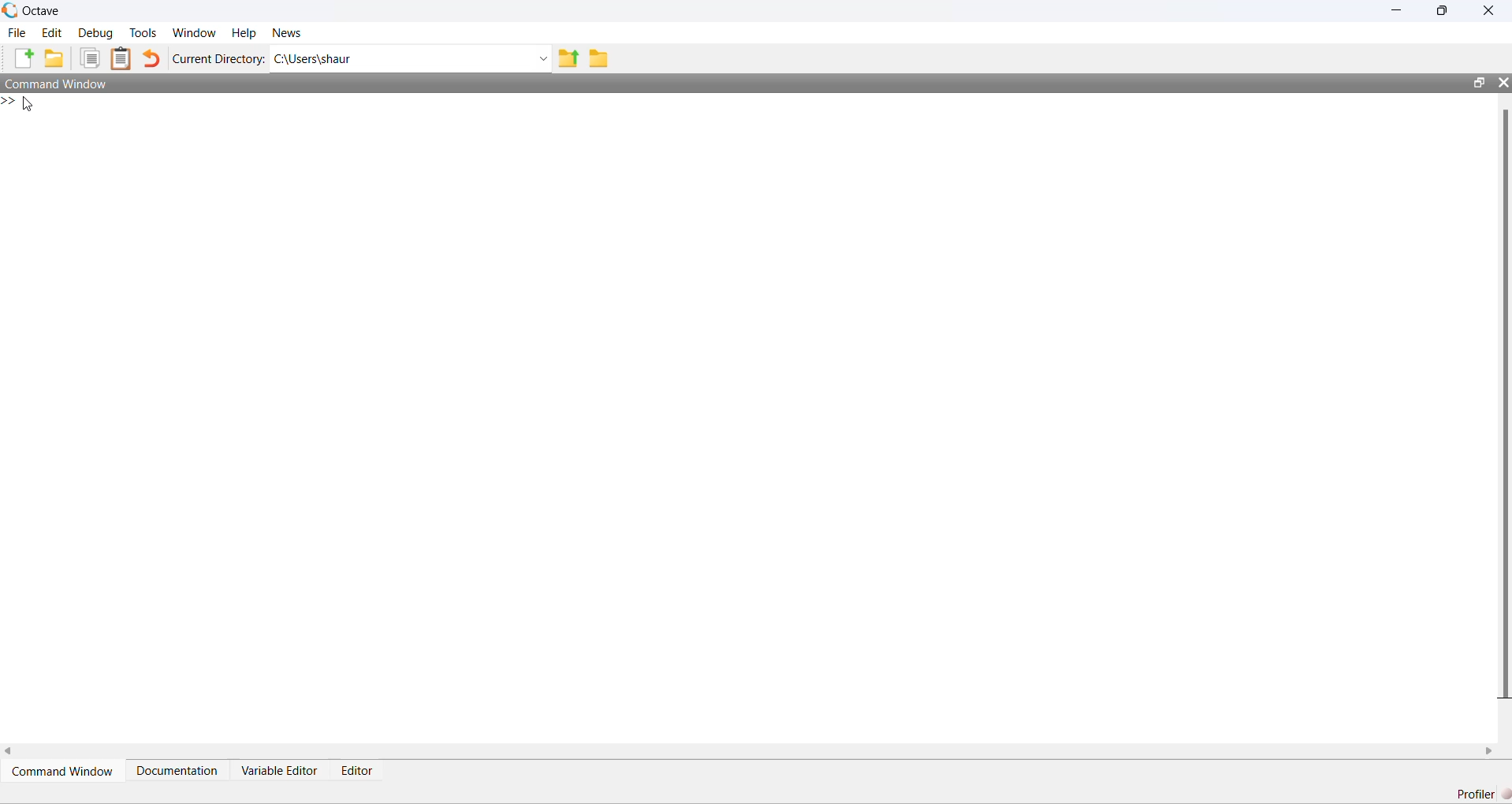 The height and width of the screenshot is (804, 1512). What do you see at coordinates (598, 59) in the screenshot?
I see `folder` at bounding box center [598, 59].